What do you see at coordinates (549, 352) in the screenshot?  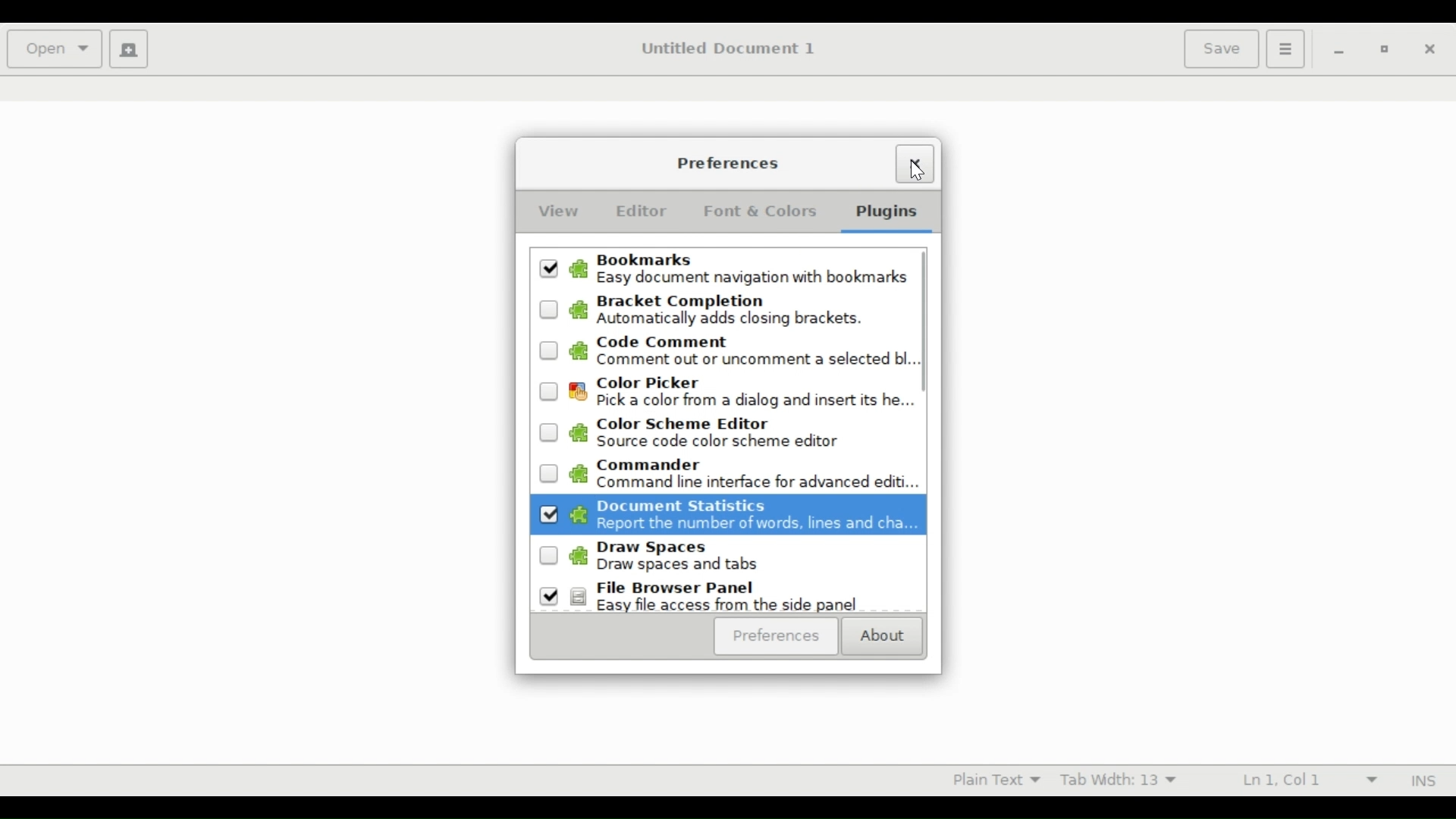 I see `Unselected` at bounding box center [549, 352].